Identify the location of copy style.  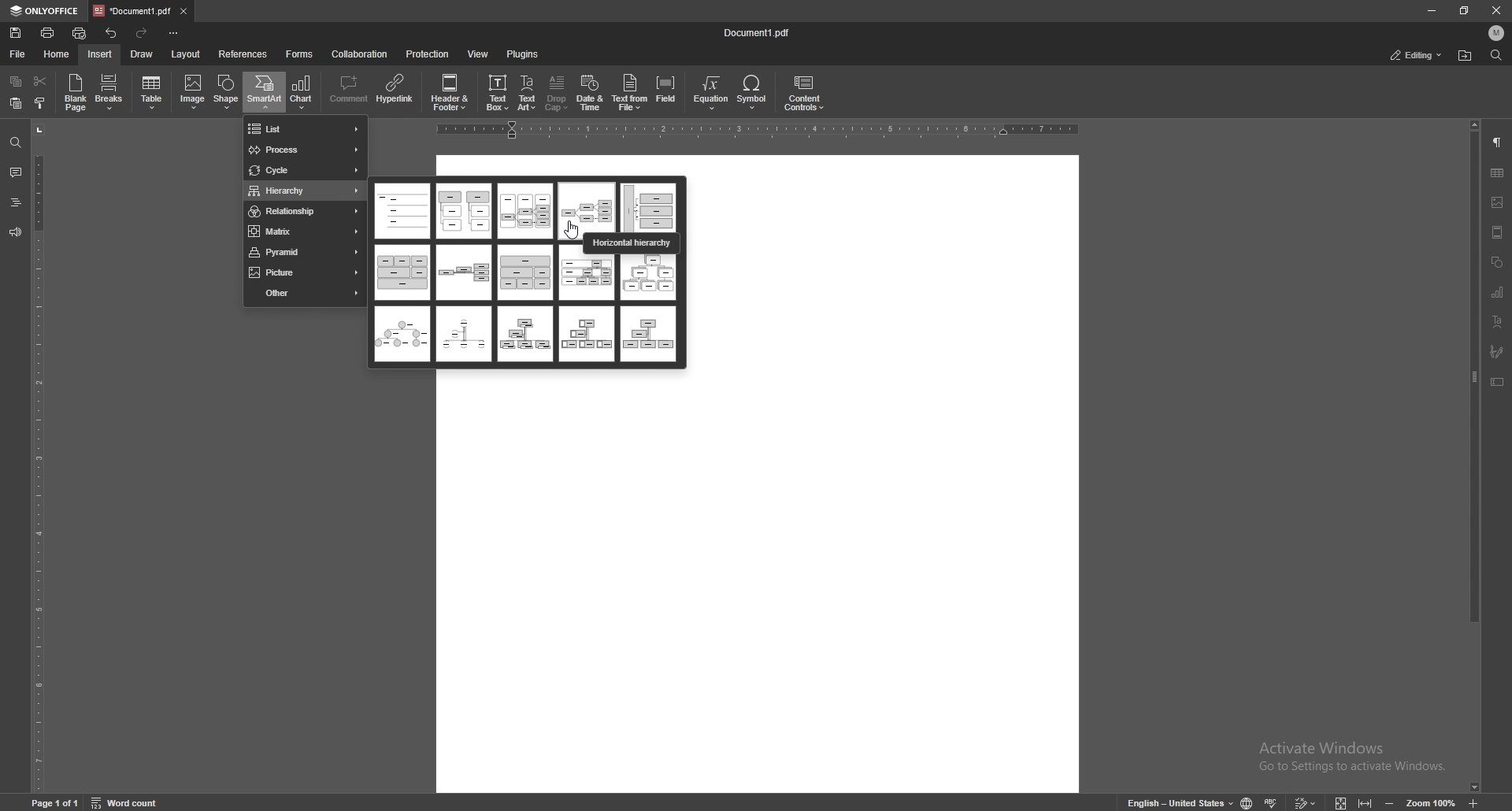
(41, 102).